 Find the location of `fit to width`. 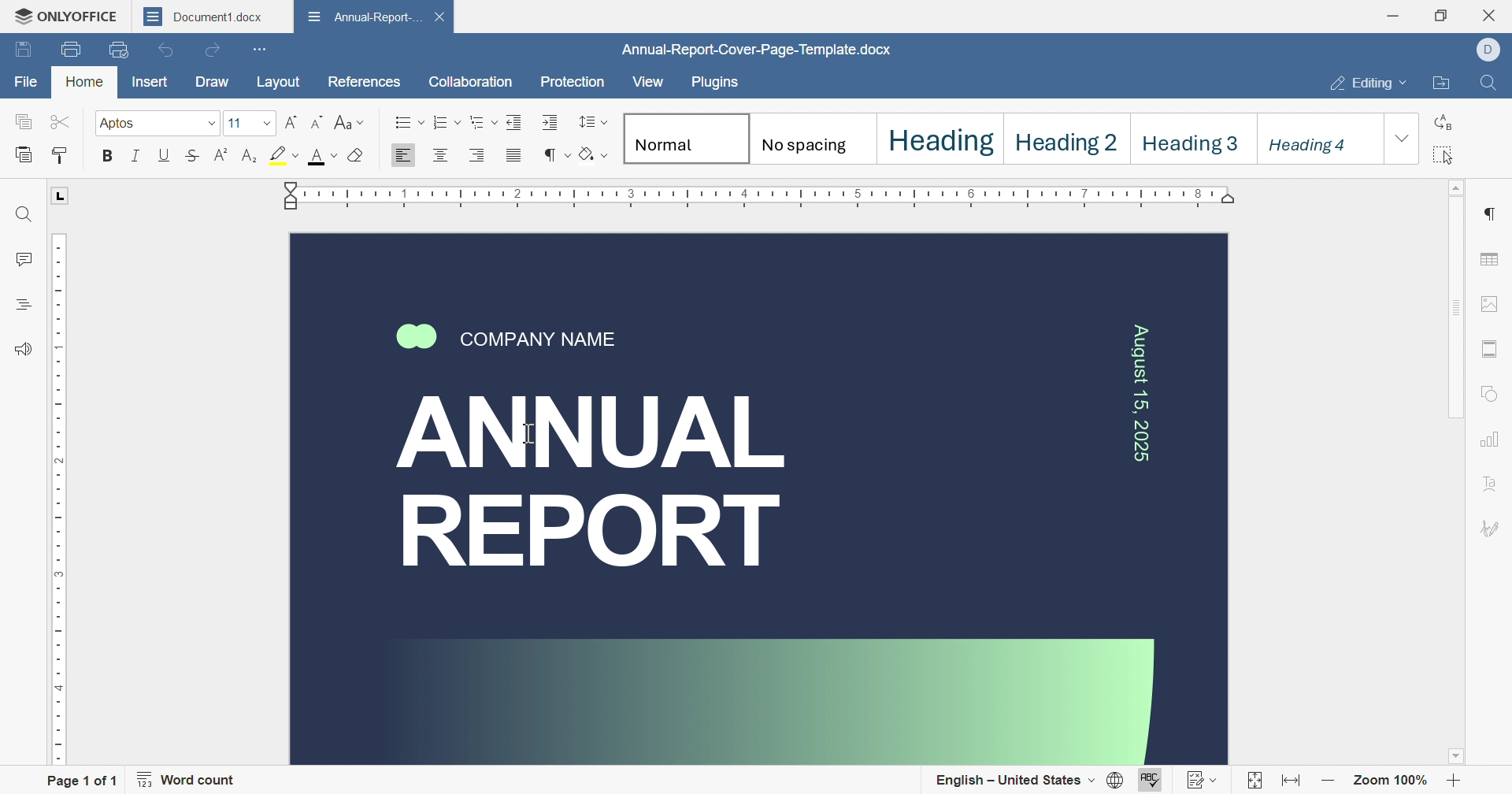

fit to width is located at coordinates (1294, 783).